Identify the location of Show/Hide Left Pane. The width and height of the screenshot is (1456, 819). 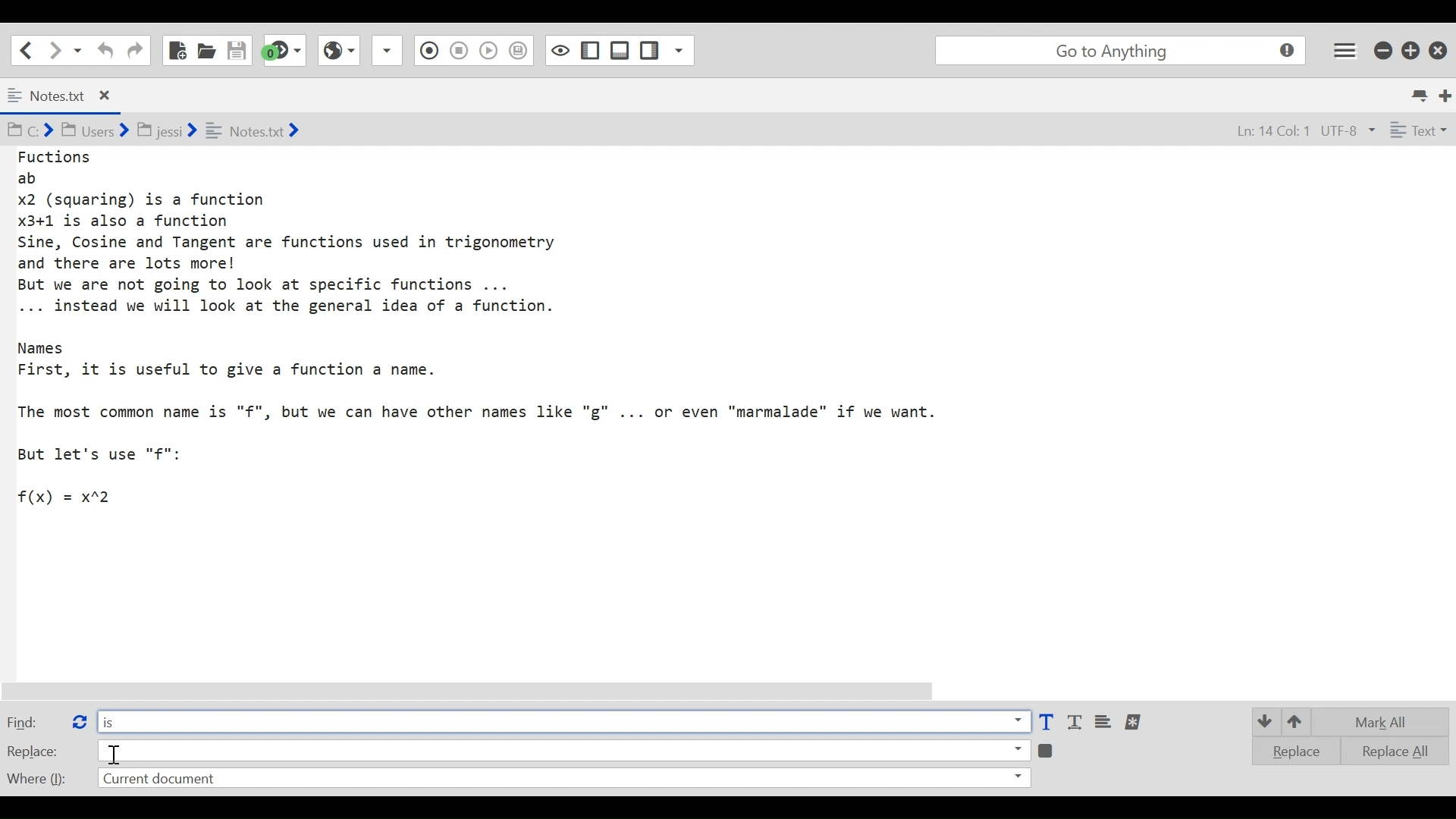
(620, 50).